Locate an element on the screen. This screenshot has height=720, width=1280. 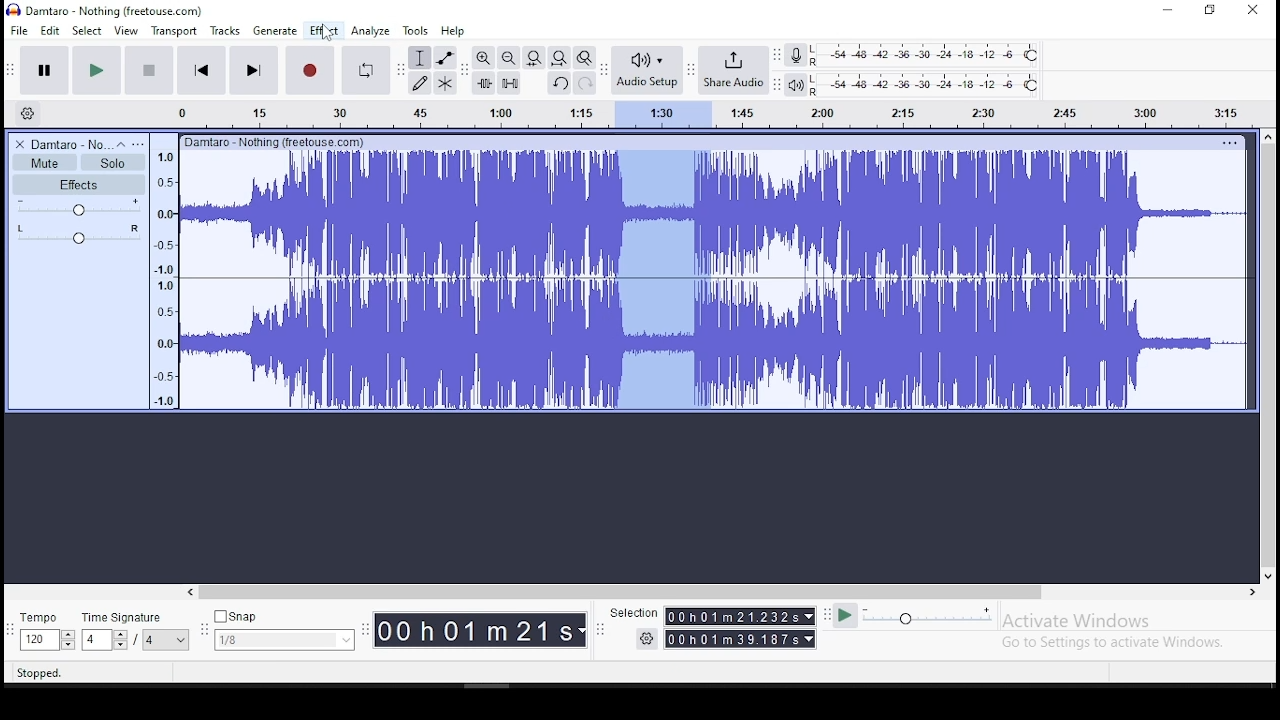
selection tool is located at coordinates (421, 58).